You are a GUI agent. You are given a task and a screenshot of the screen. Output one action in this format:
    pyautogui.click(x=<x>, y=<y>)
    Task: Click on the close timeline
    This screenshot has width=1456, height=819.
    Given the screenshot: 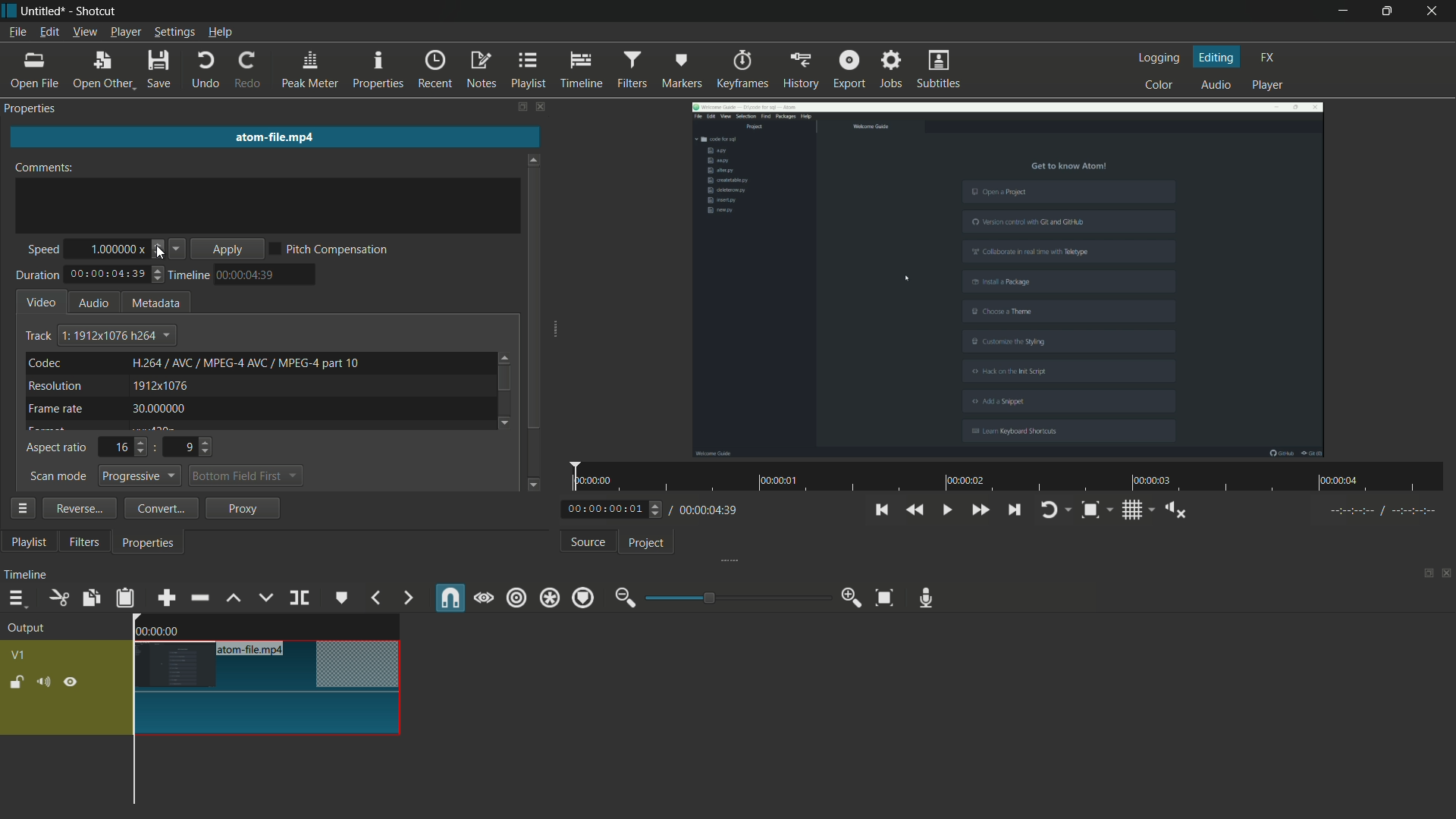 What is the action you would take?
    pyautogui.click(x=1447, y=573)
    